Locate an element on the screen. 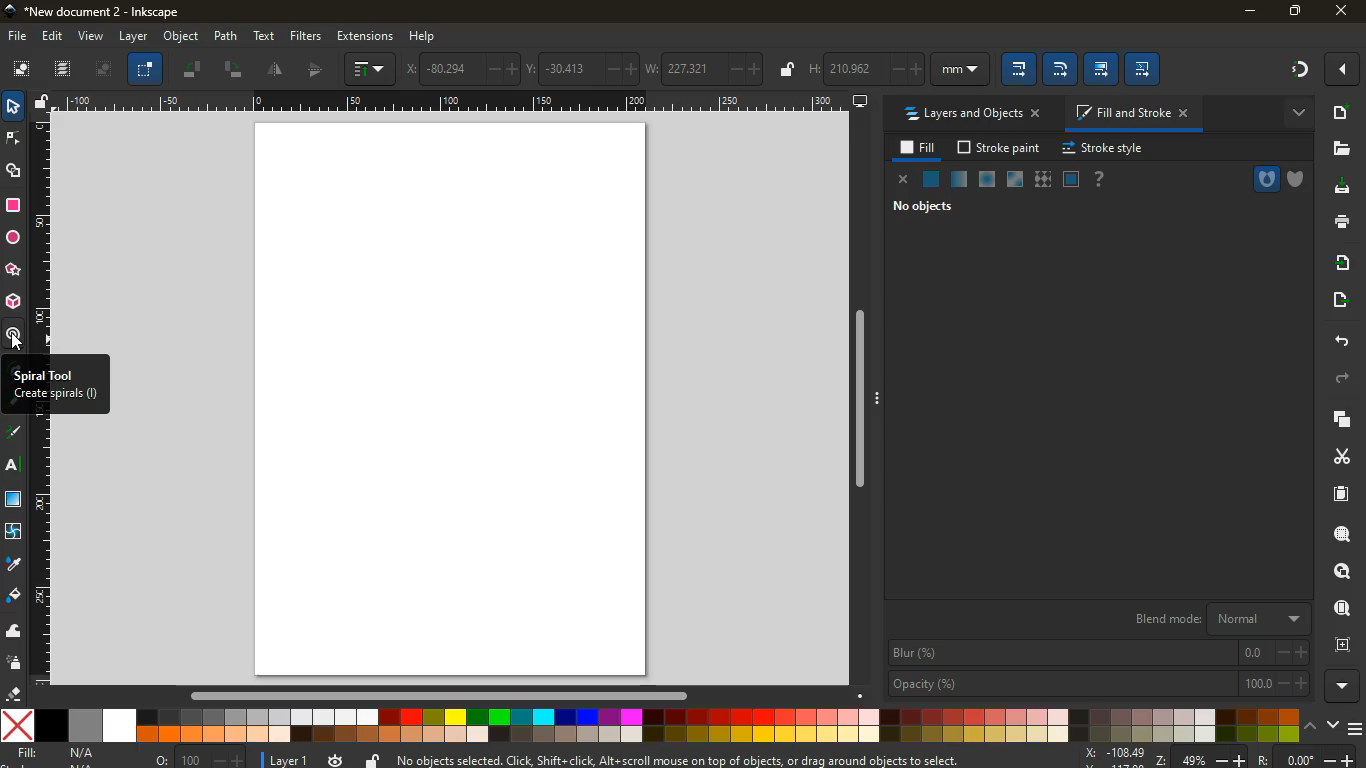 This screenshot has width=1366, height=768. select is located at coordinates (13, 106).